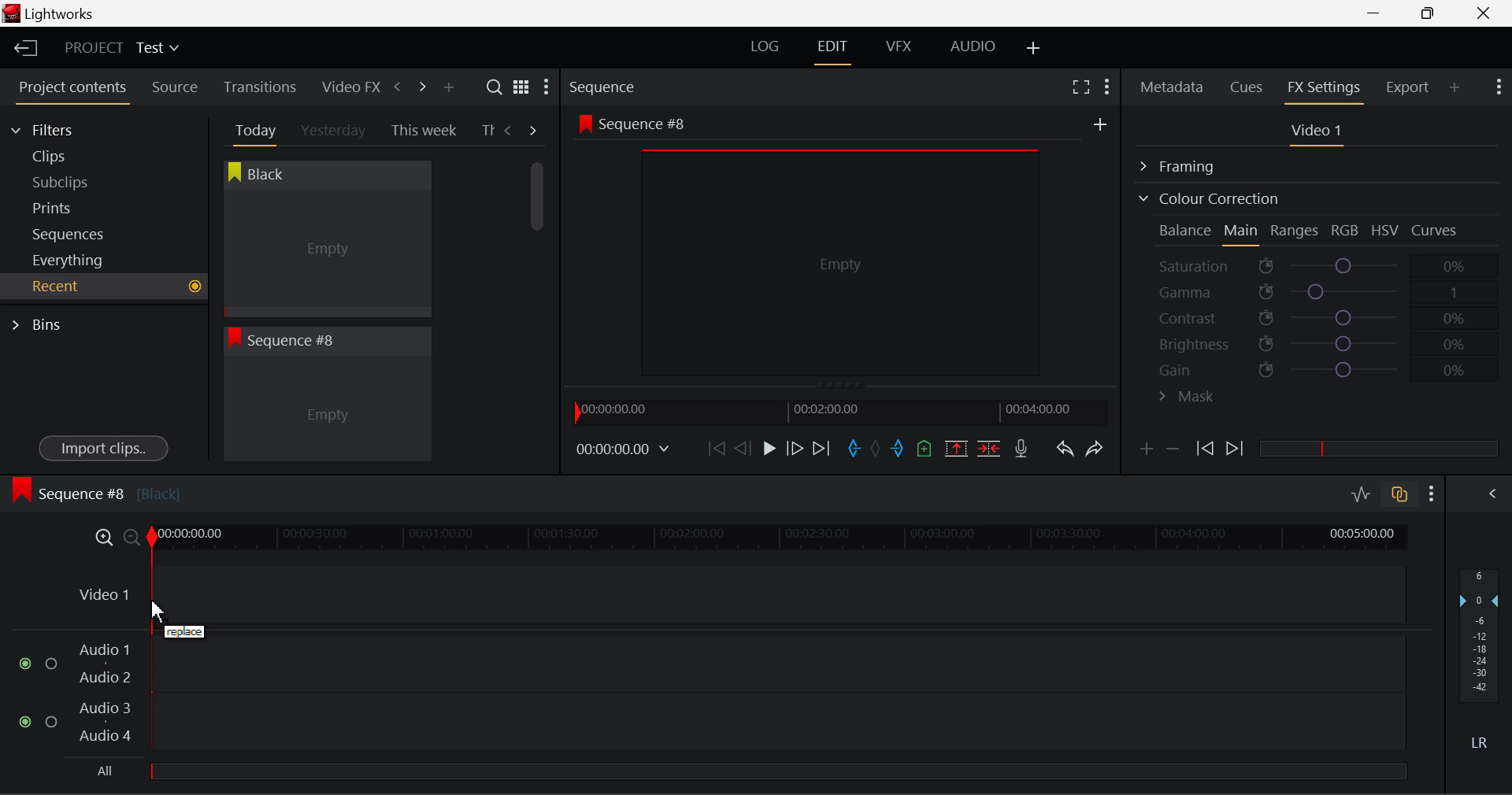 The width and height of the screenshot is (1512, 795). Describe the element at coordinates (902, 48) in the screenshot. I see `VFX Layout` at that location.